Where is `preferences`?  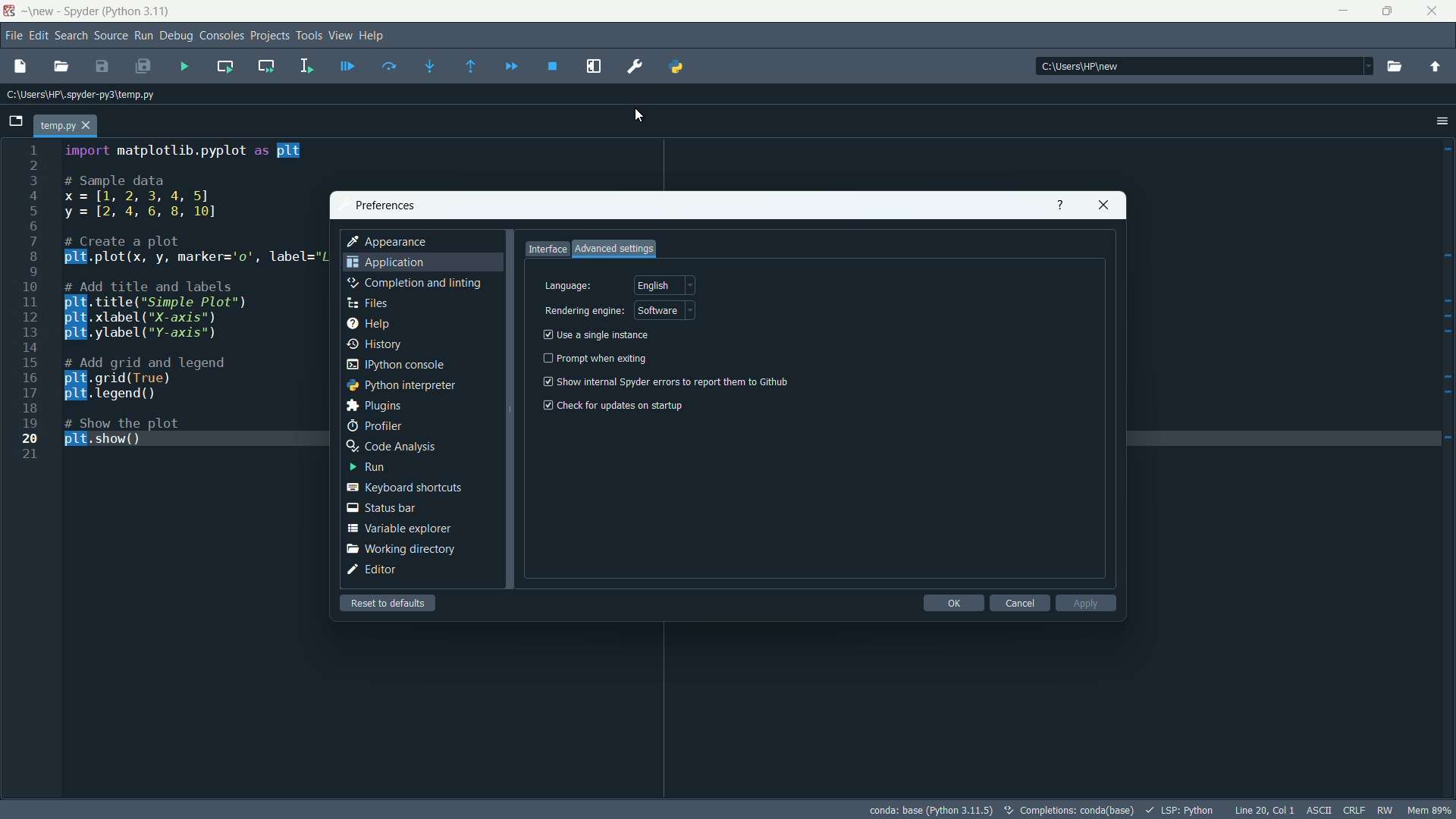
preferences is located at coordinates (386, 205).